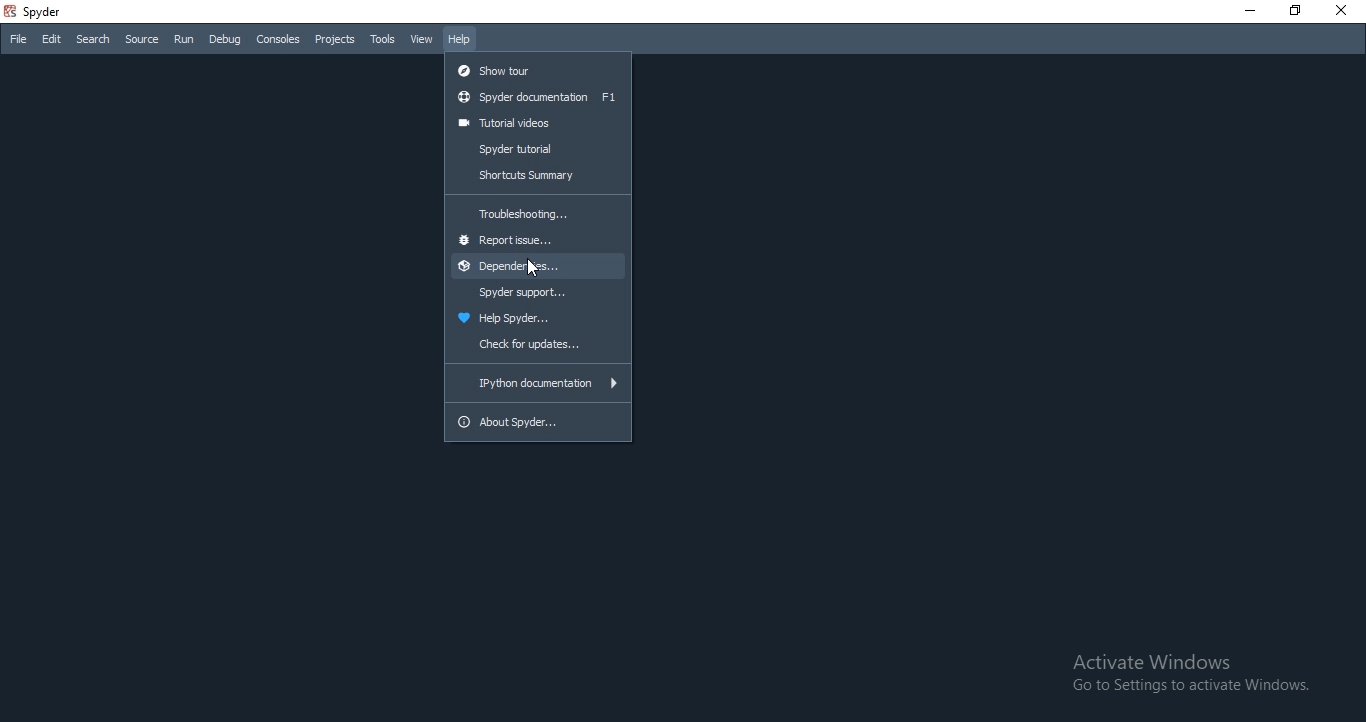  I want to click on Consoles, so click(278, 39).